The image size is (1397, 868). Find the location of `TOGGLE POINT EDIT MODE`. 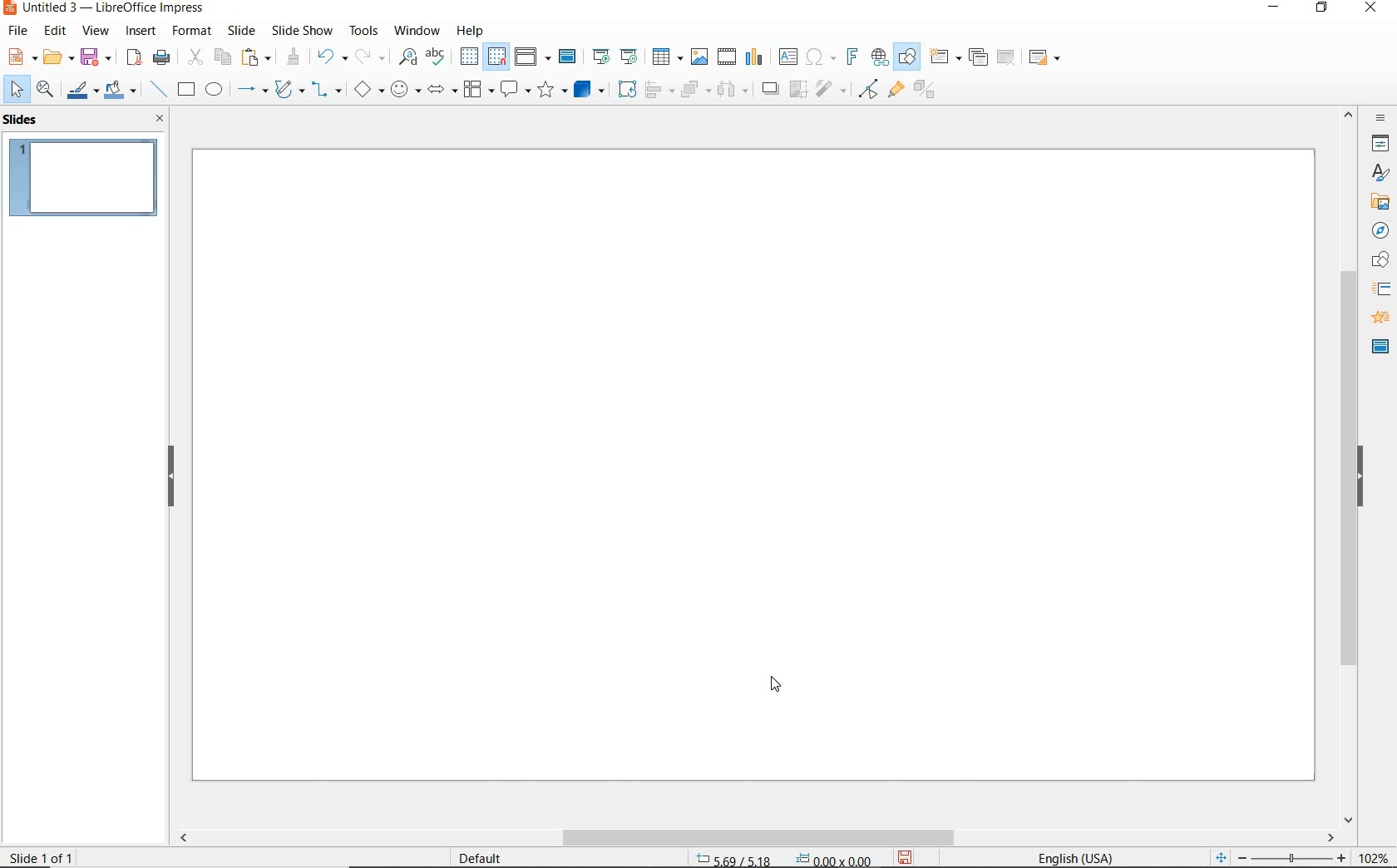

TOGGLE POINT EDIT MODE is located at coordinates (870, 87).